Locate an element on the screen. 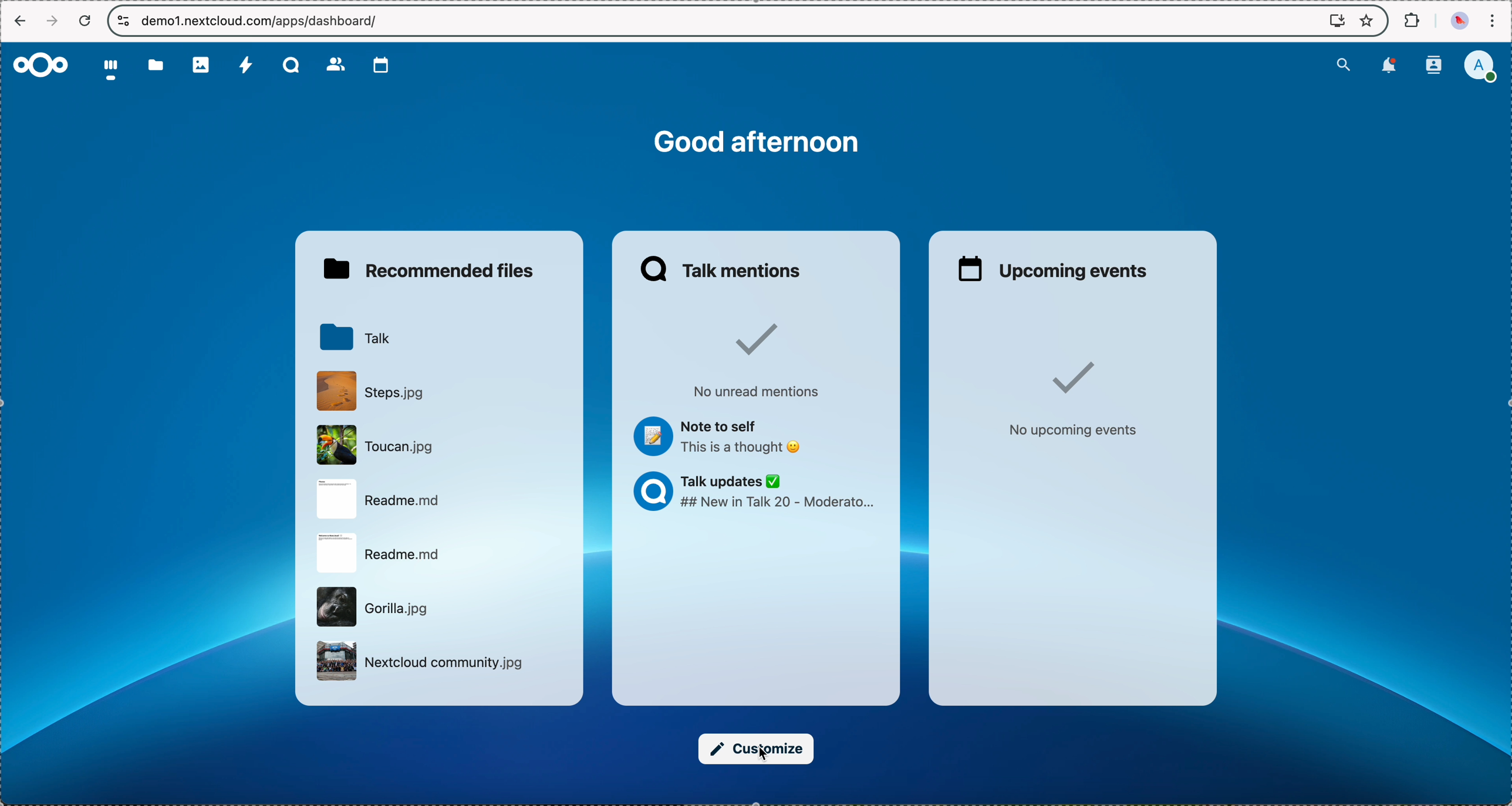 This screenshot has height=806, width=1512. upcoming events is located at coordinates (1052, 267).